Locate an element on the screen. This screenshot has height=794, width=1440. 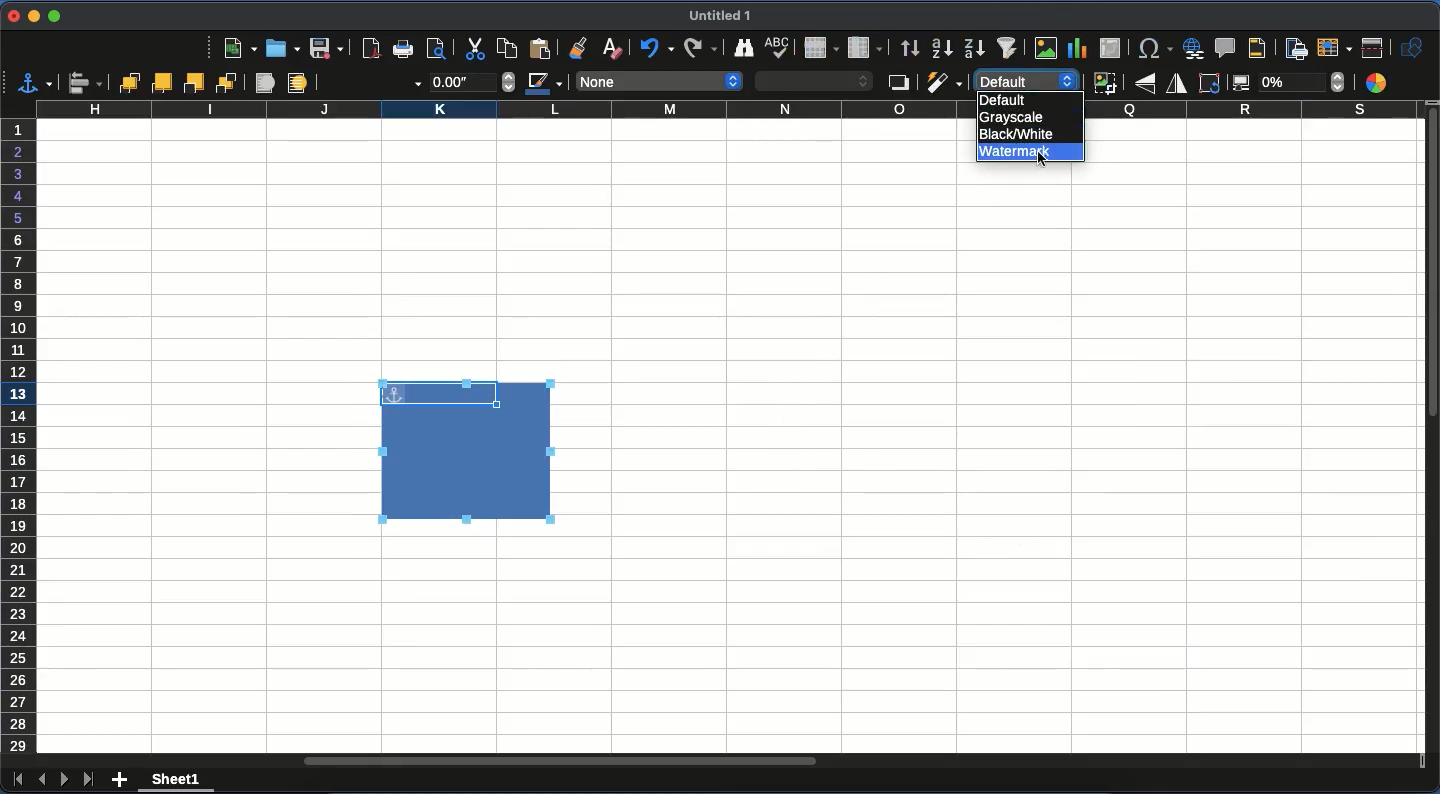
pdf is located at coordinates (371, 48).